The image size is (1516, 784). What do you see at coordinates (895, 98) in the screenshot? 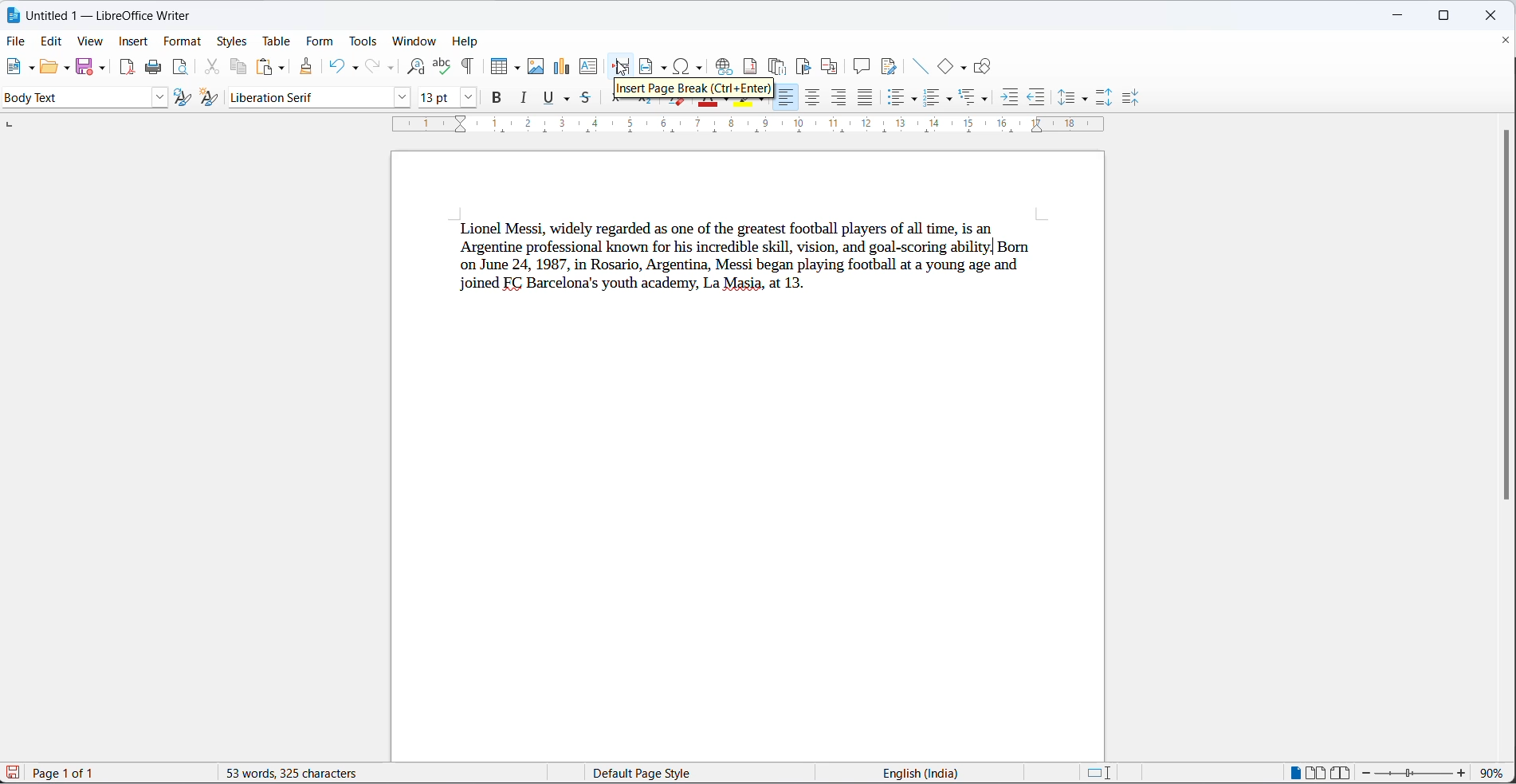
I see `toggle unordered list ` at bounding box center [895, 98].